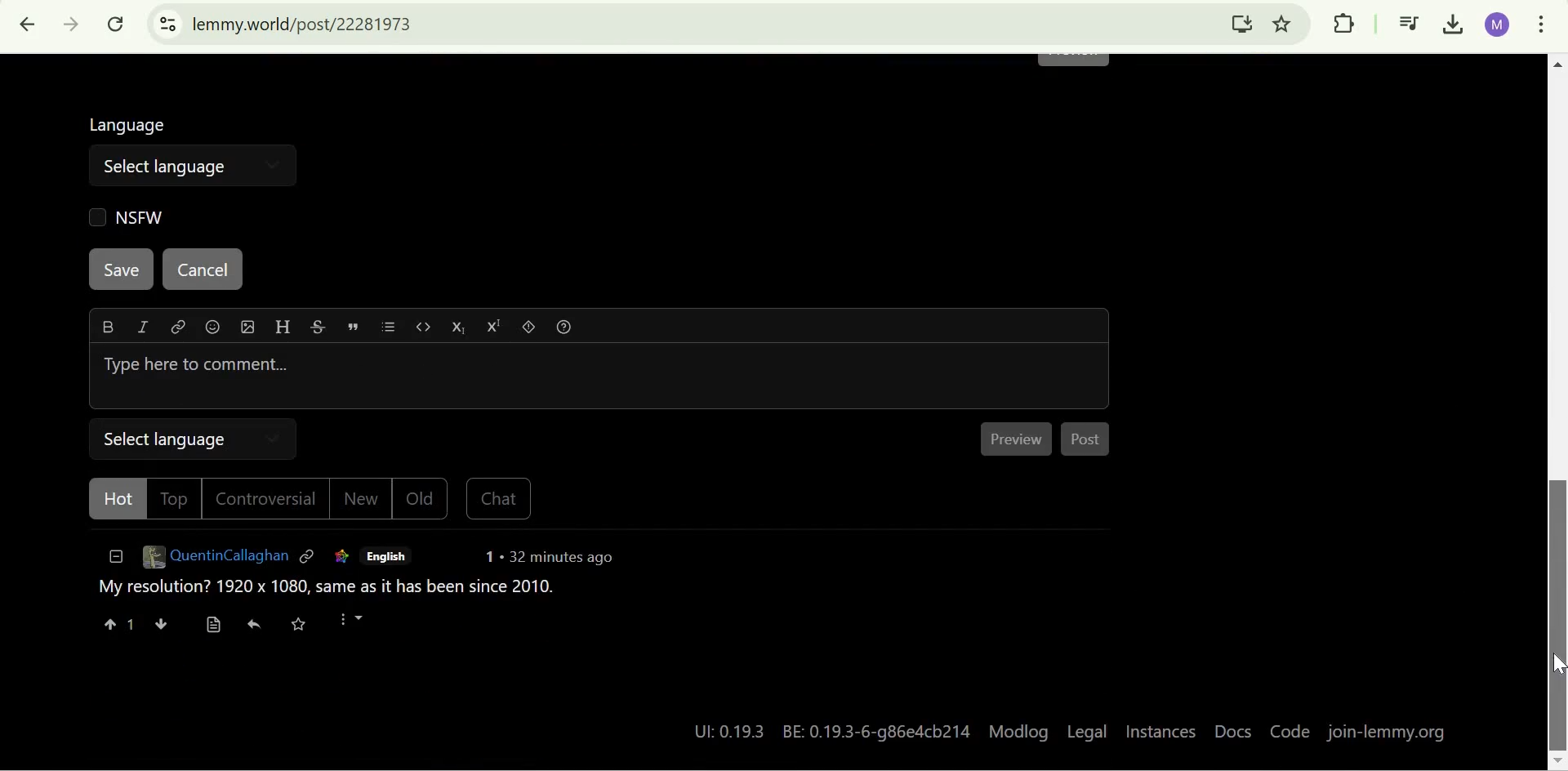 This screenshot has width=1568, height=771. Describe the element at coordinates (355, 327) in the screenshot. I see `quote` at that location.